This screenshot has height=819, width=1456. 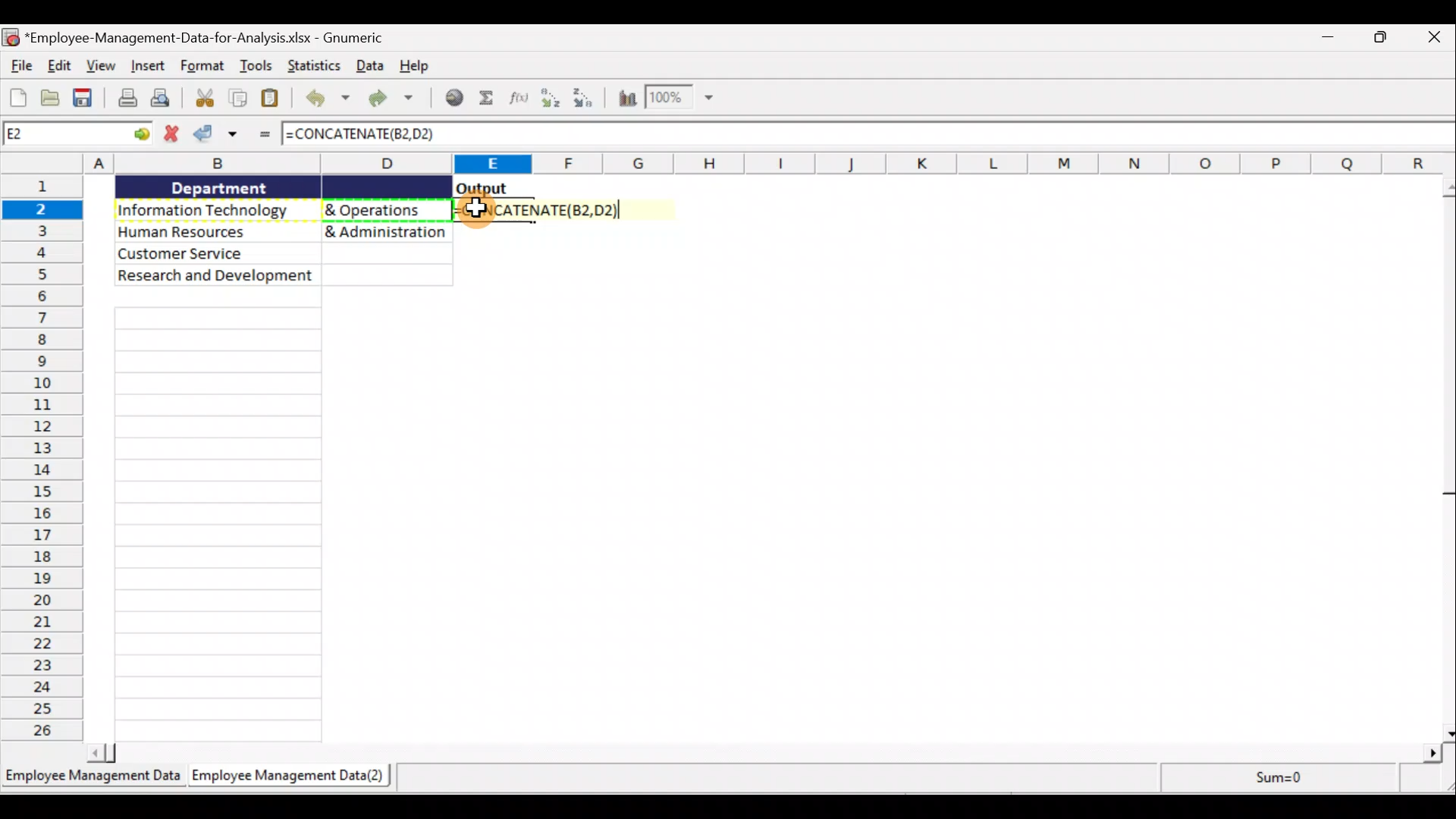 I want to click on scroll bar, so click(x=1444, y=457).